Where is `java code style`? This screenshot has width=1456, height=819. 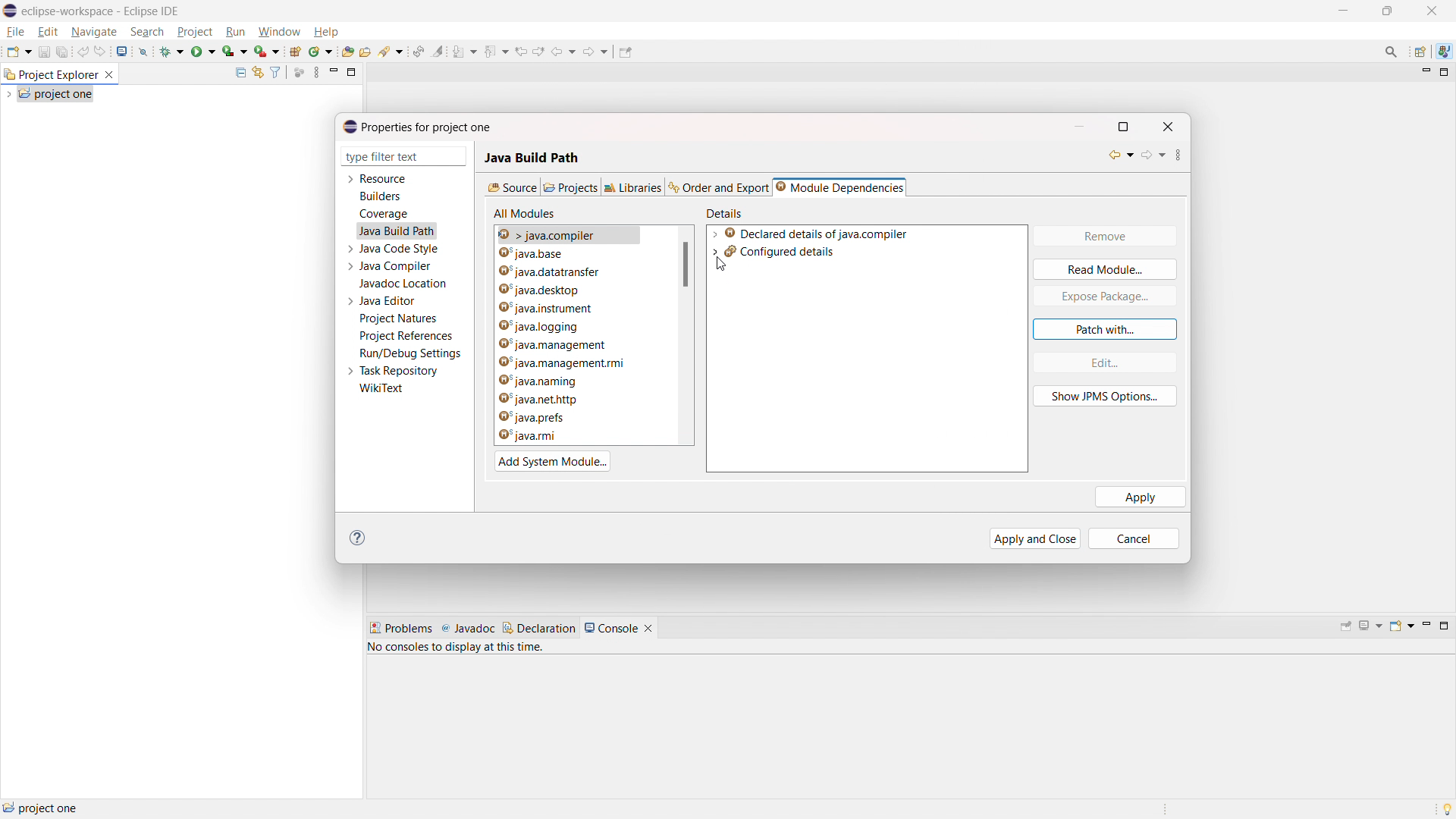 java code style is located at coordinates (400, 249).